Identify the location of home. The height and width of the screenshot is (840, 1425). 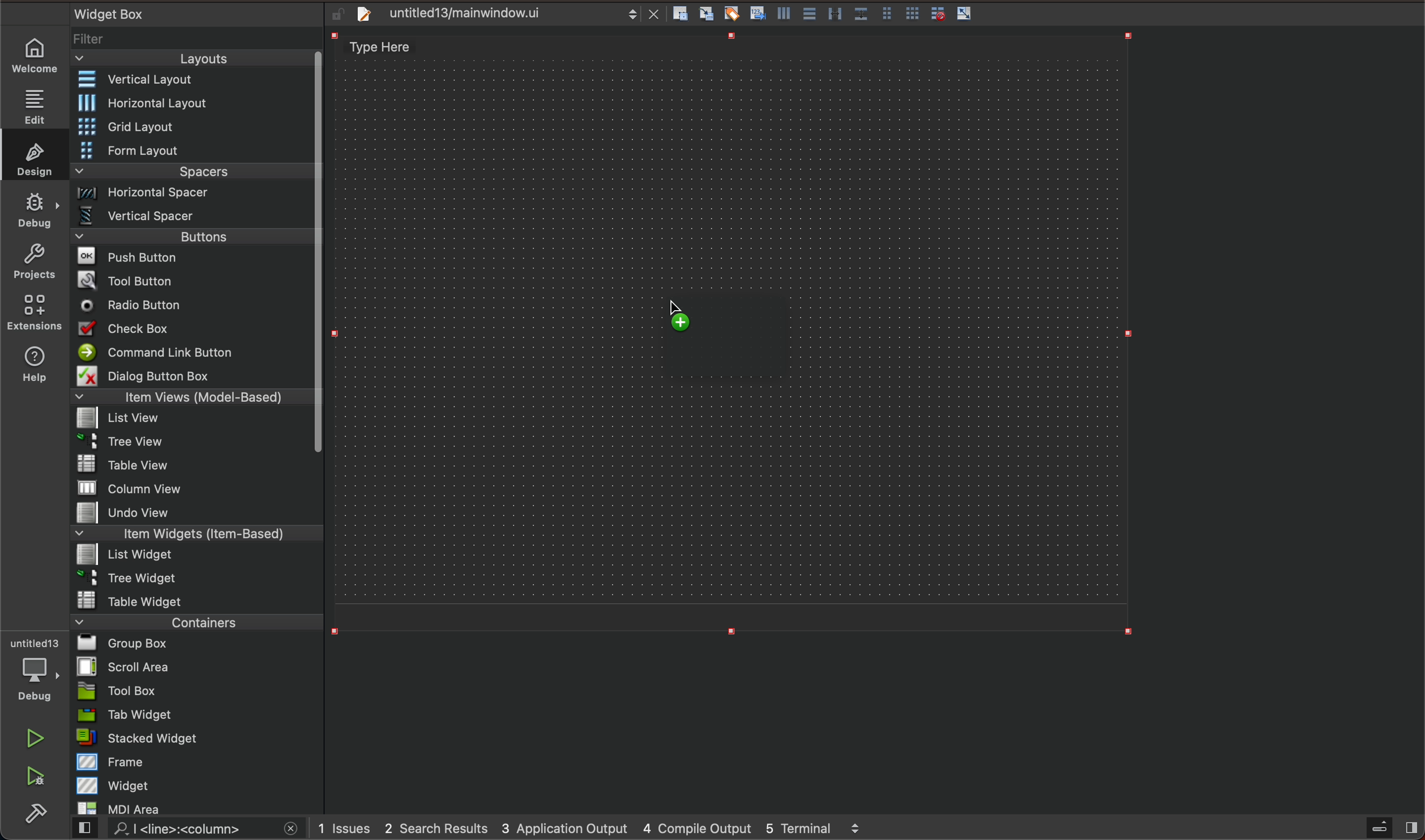
(37, 57).